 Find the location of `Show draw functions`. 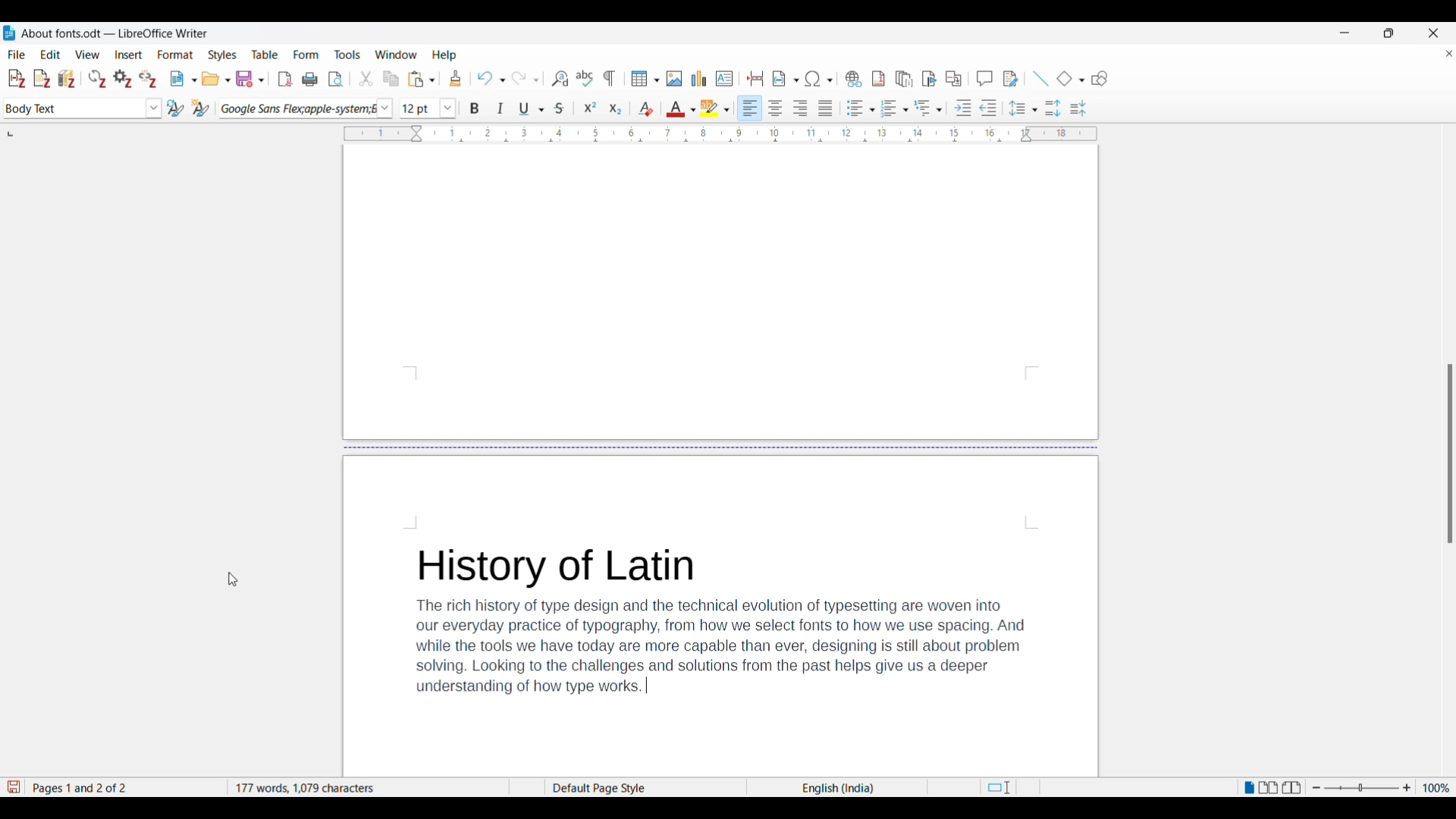

Show draw functions is located at coordinates (1100, 79).